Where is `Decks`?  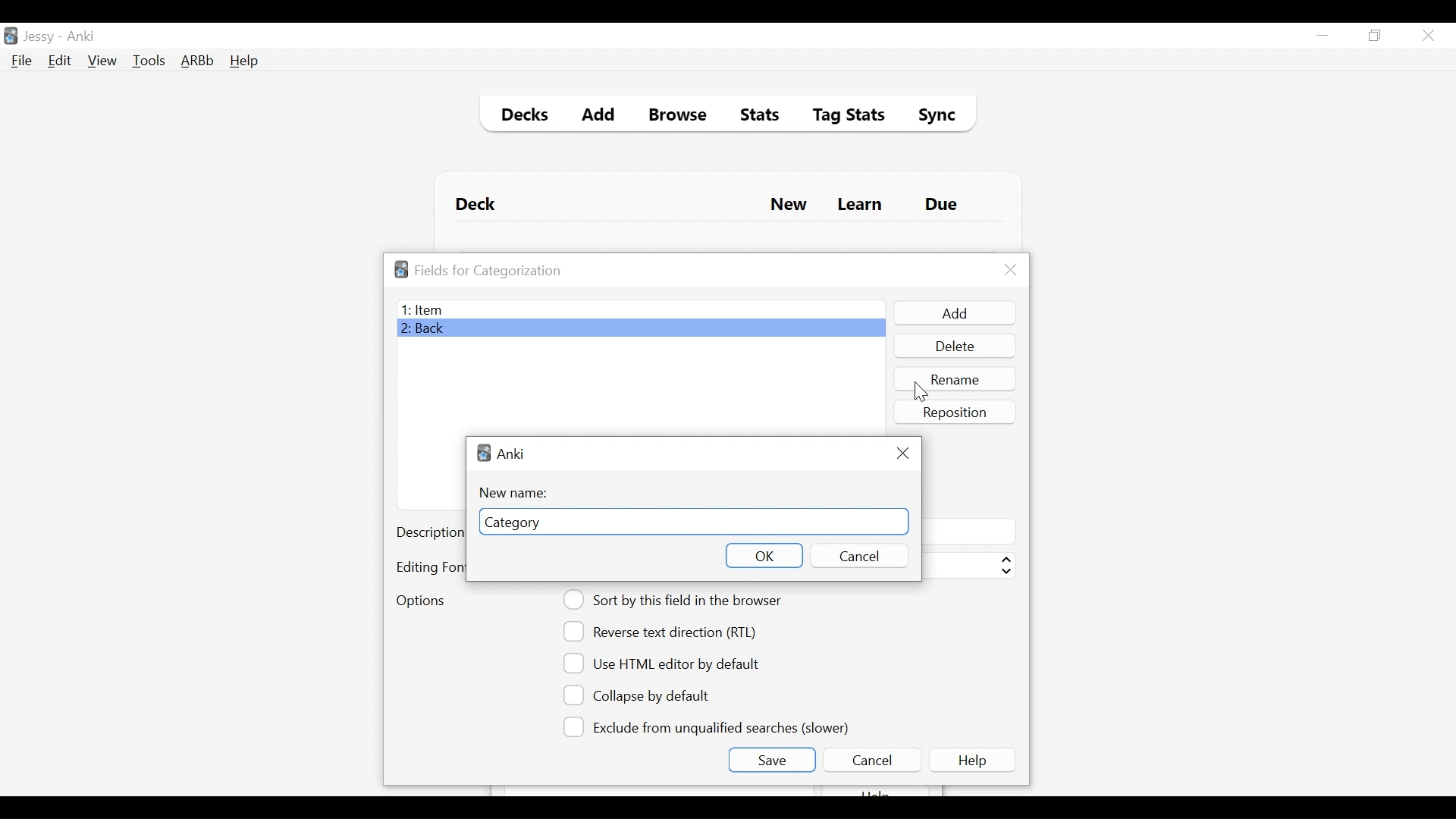 Decks is located at coordinates (521, 117).